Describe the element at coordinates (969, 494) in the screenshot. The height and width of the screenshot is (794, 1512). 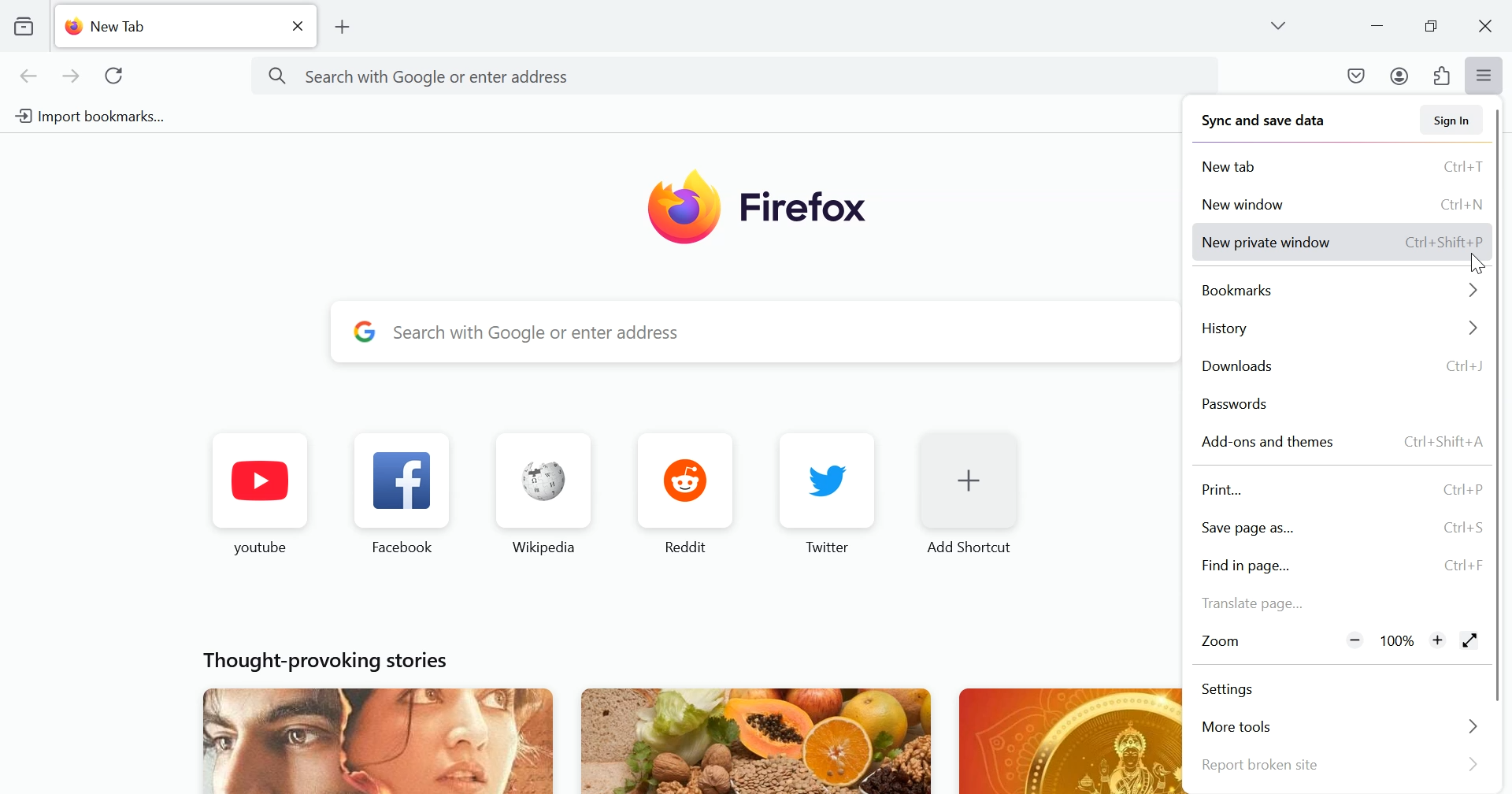
I see `Add shortcut` at that location.